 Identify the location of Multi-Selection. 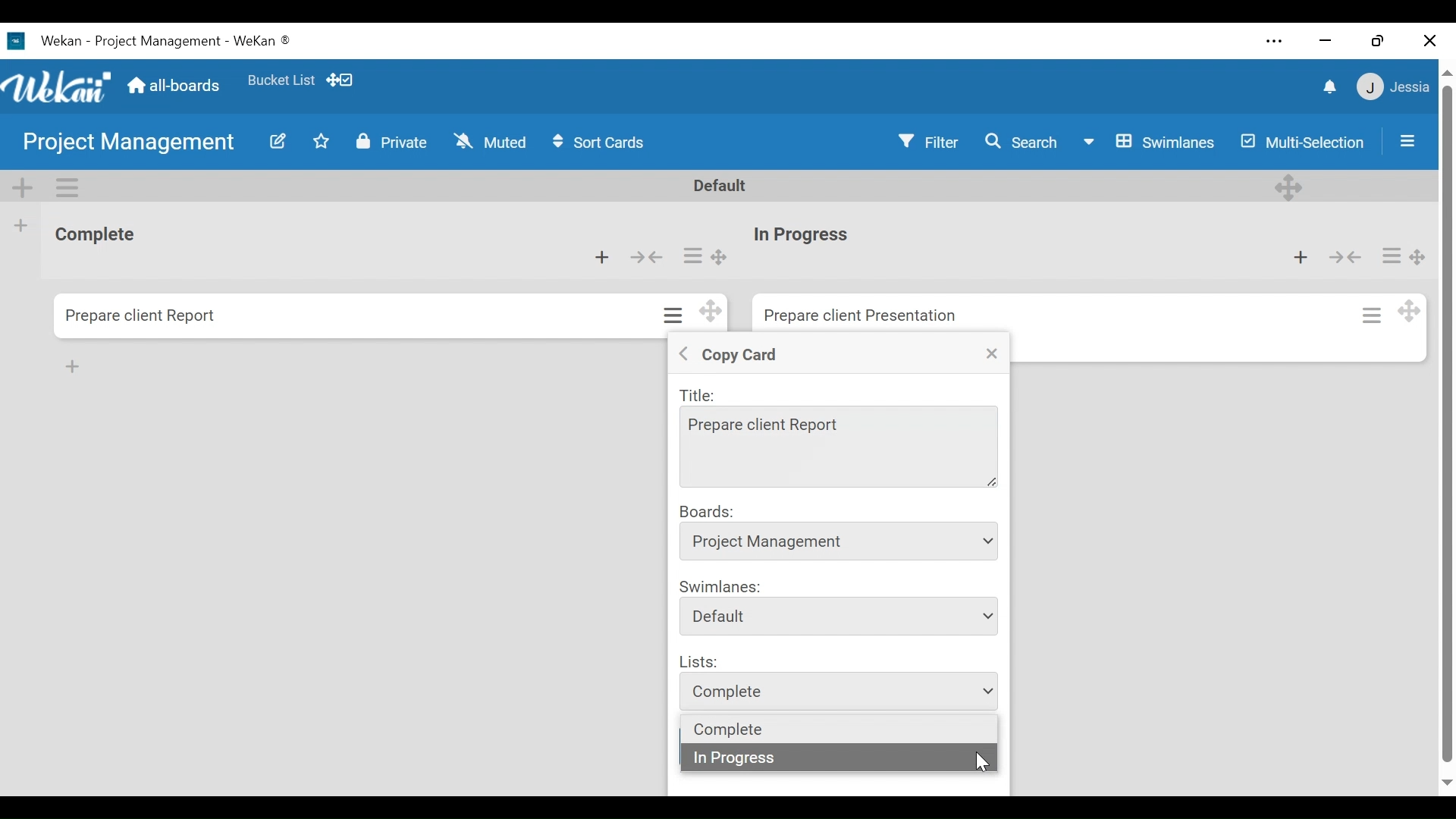
(1307, 141).